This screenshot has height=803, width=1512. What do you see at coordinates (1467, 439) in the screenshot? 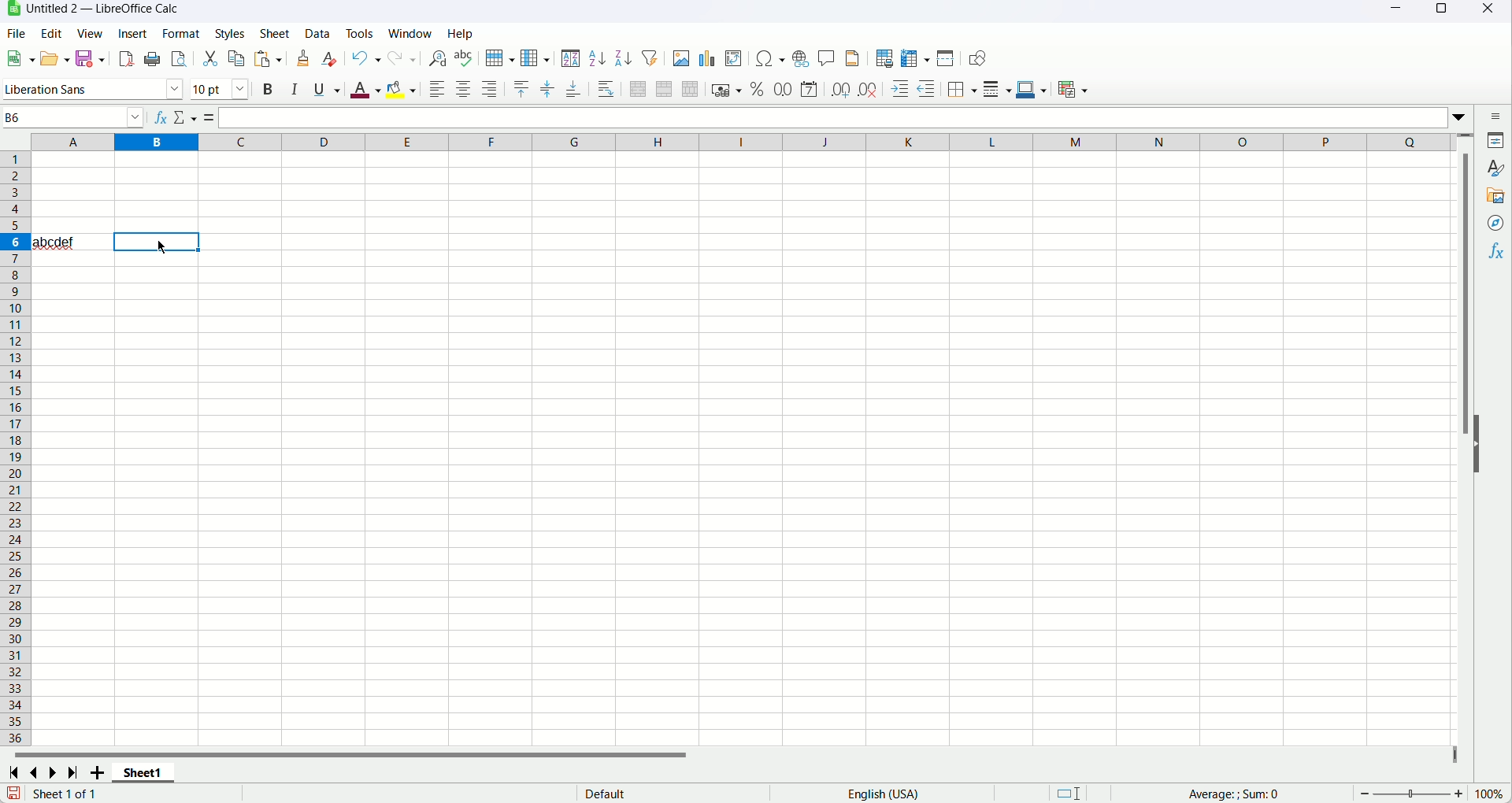
I see `vertical scroll bar` at bounding box center [1467, 439].